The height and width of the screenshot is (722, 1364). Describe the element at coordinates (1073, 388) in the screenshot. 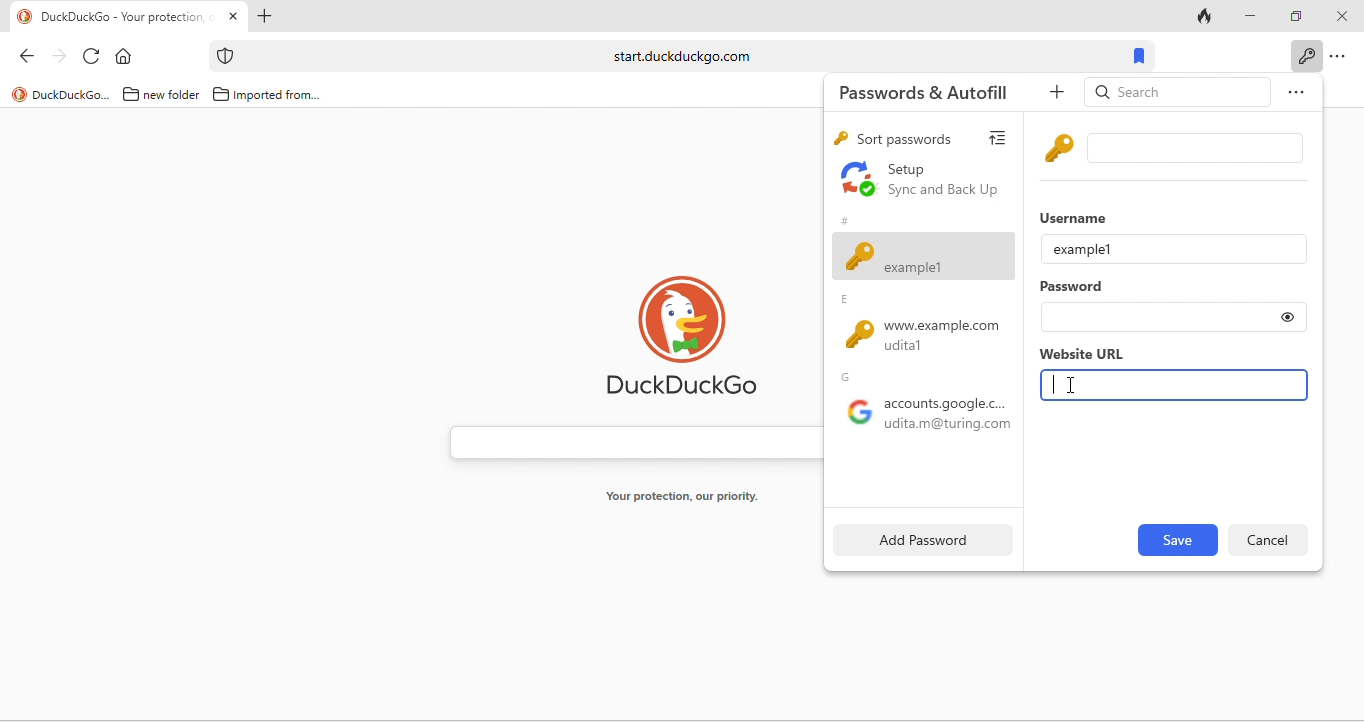

I see `cursor` at that location.